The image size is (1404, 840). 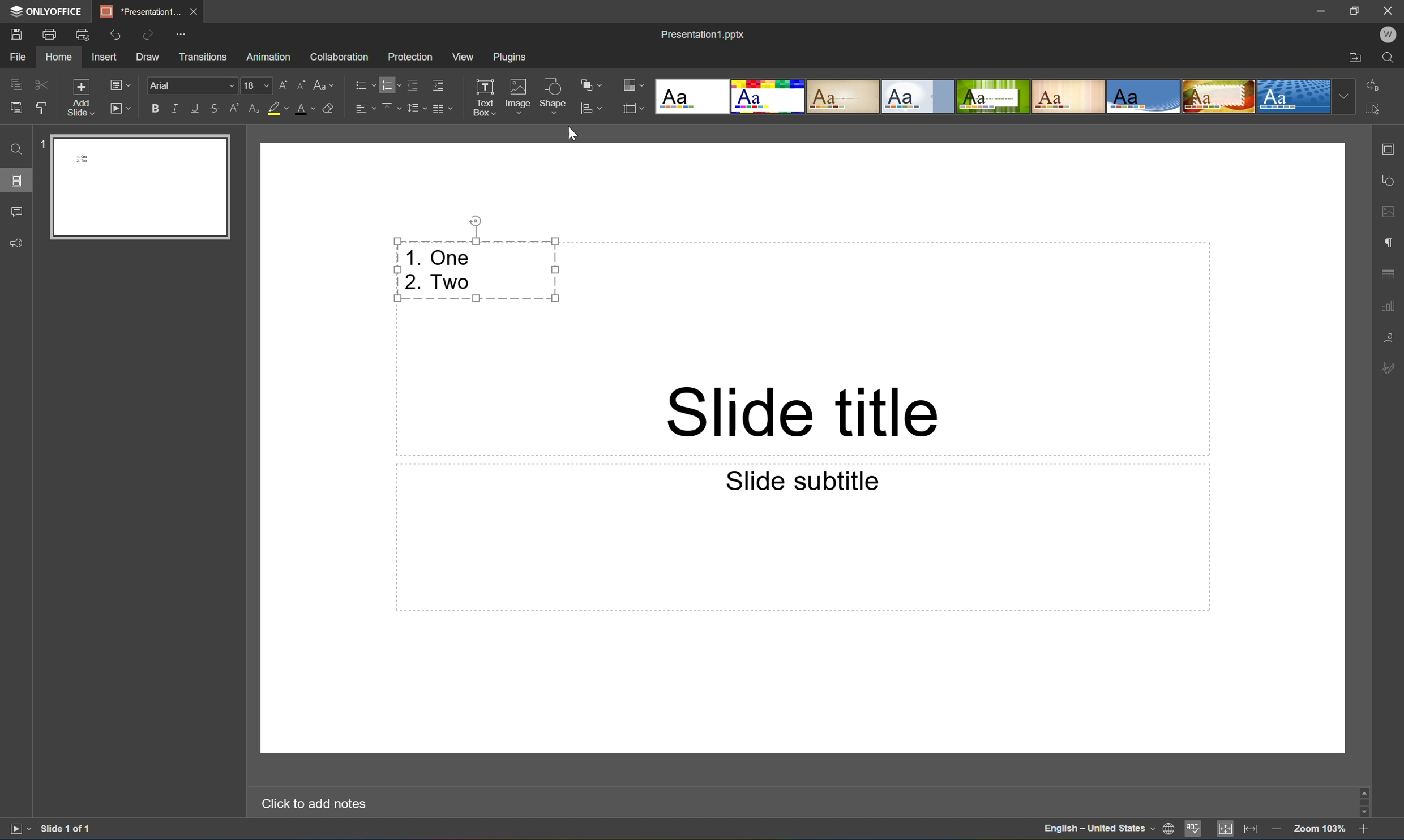 What do you see at coordinates (253, 109) in the screenshot?
I see `Subscript` at bounding box center [253, 109].